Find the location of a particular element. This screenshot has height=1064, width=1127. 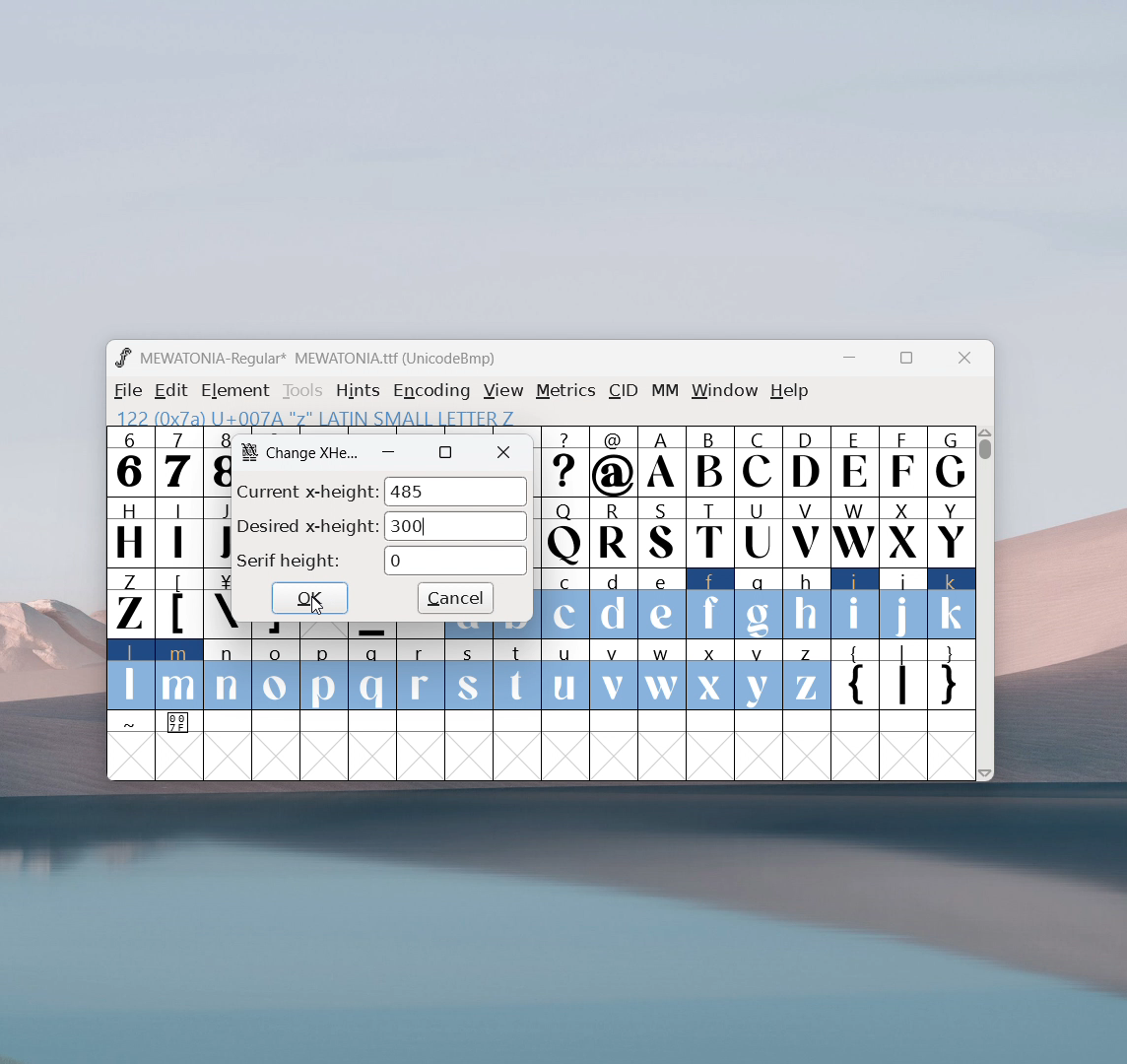

hints is located at coordinates (360, 390).